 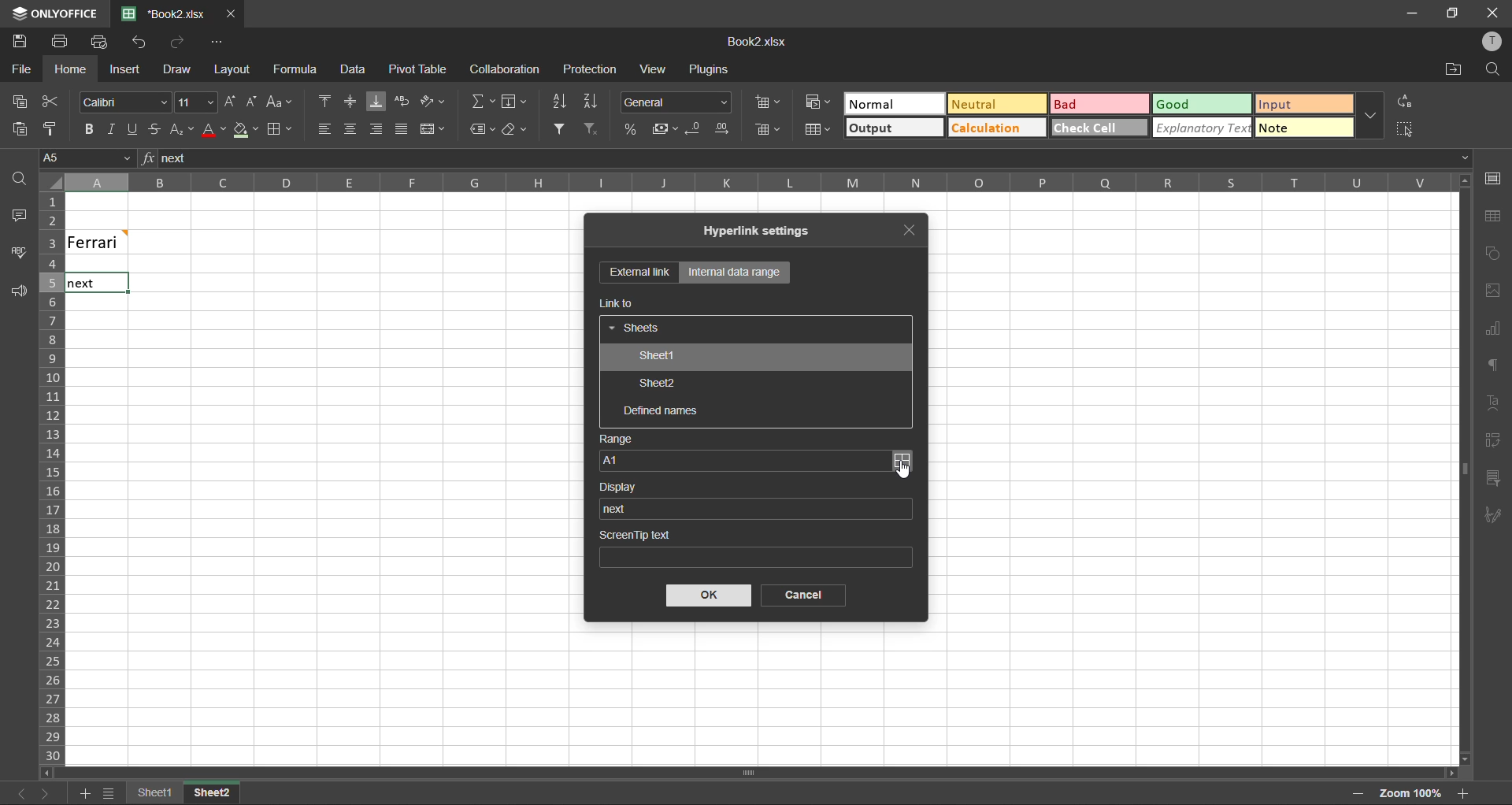 I want to click on Next, so click(x=80, y=284).